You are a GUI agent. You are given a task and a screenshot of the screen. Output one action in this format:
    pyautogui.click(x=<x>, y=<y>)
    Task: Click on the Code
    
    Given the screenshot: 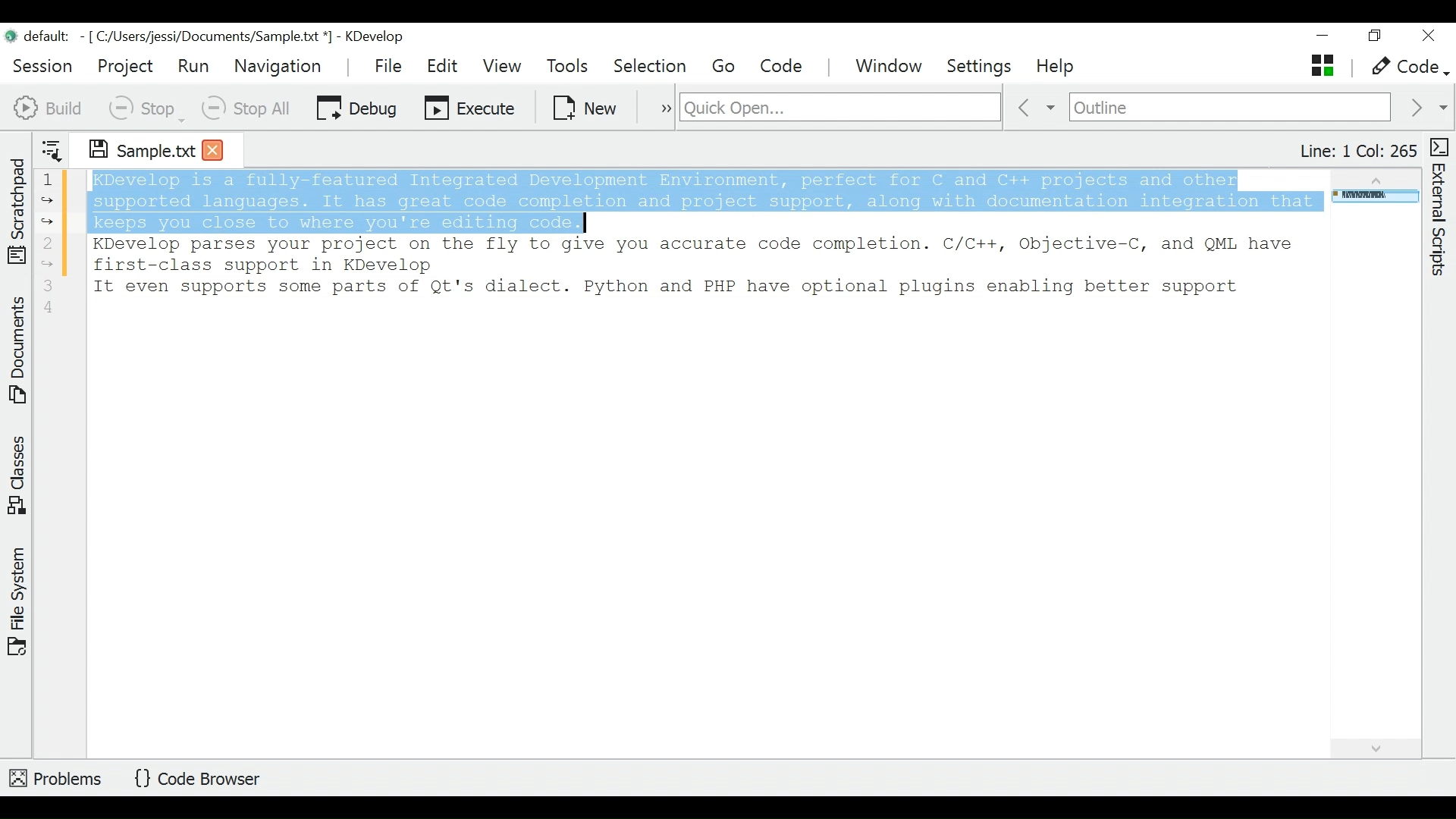 What is the action you would take?
    pyautogui.click(x=1407, y=67)
    